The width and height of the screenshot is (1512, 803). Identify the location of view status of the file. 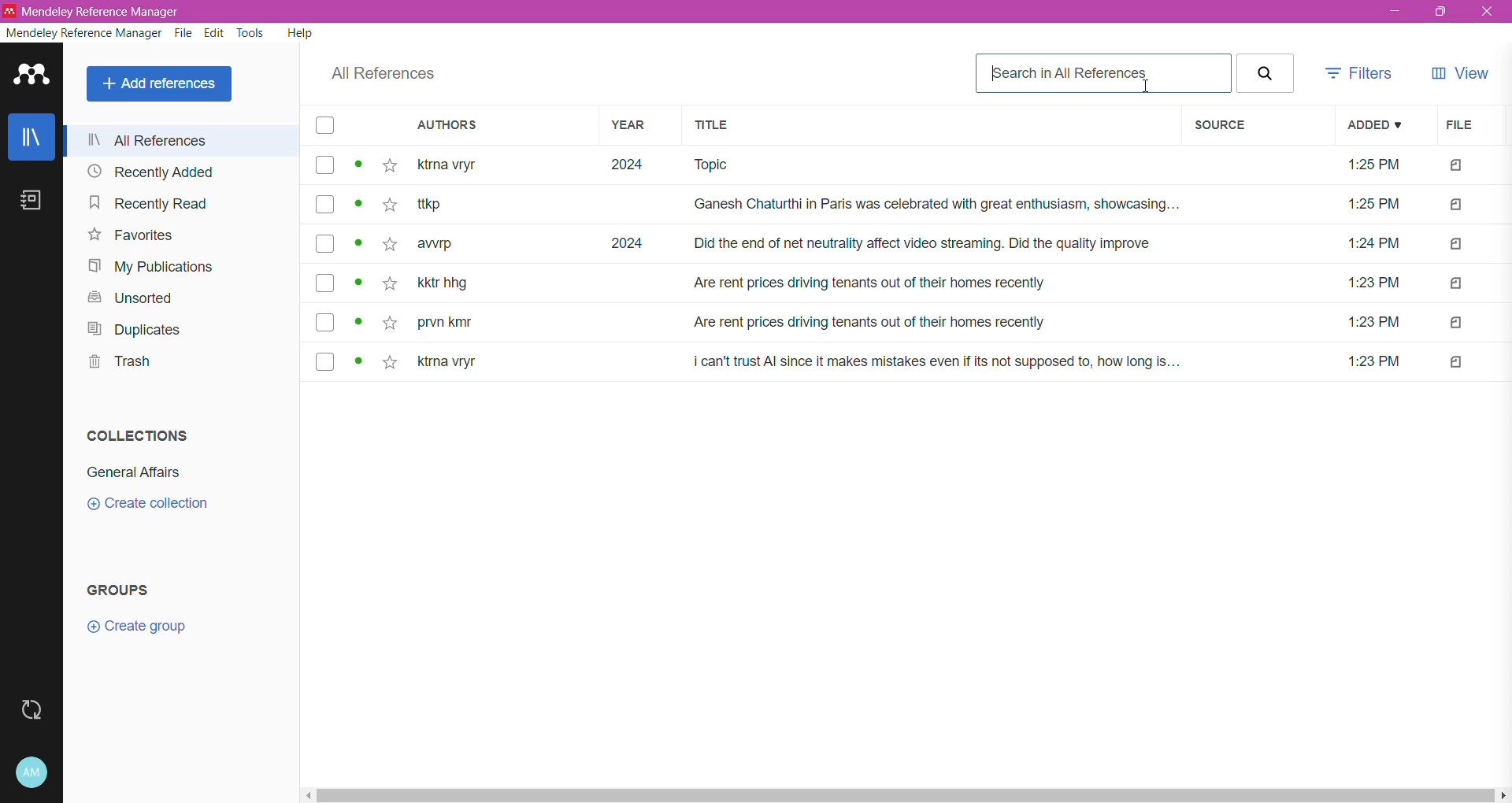
(359, 204).